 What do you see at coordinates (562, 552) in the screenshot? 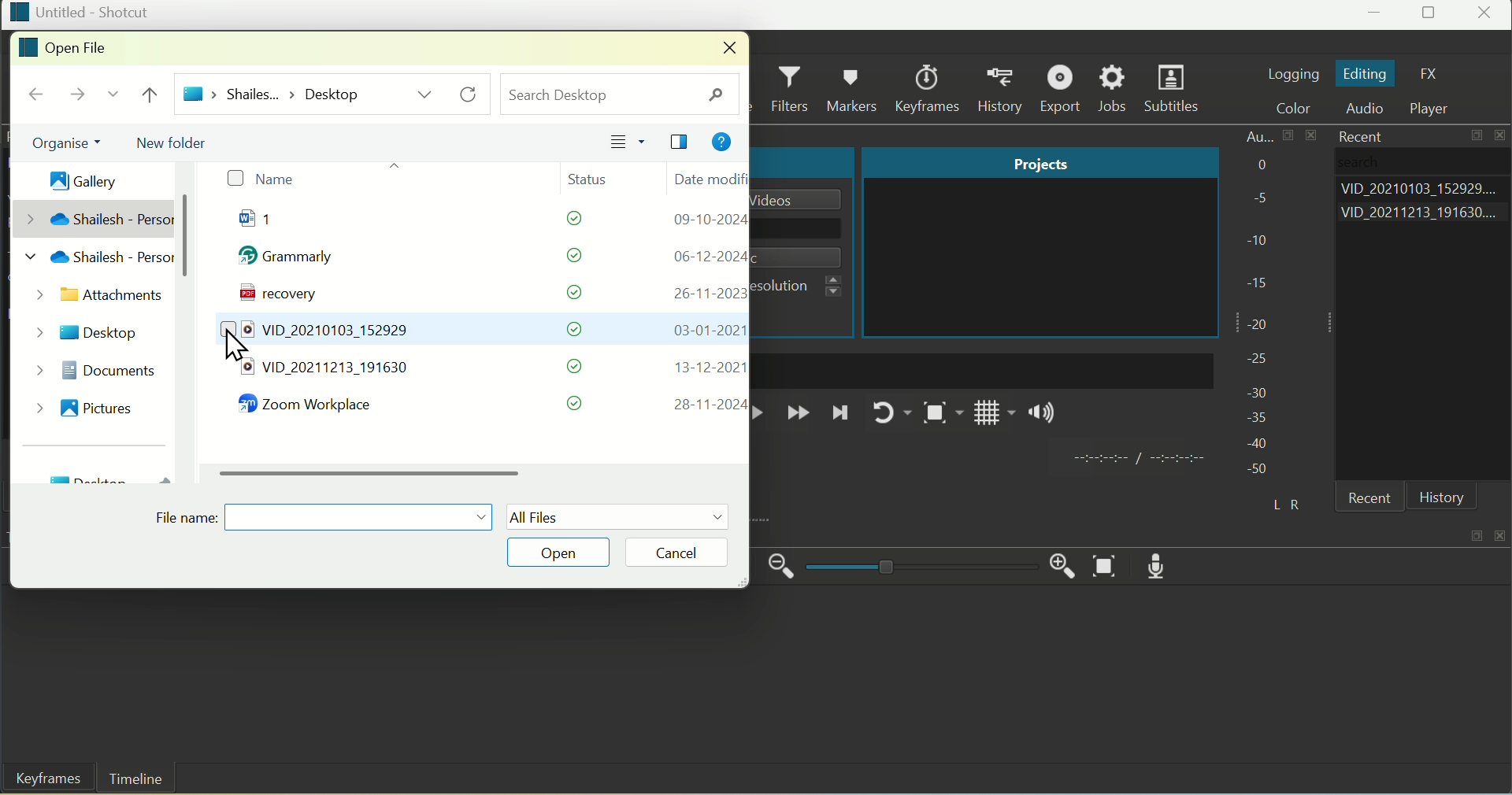
I see `Open` at bounding box center [562, 552].